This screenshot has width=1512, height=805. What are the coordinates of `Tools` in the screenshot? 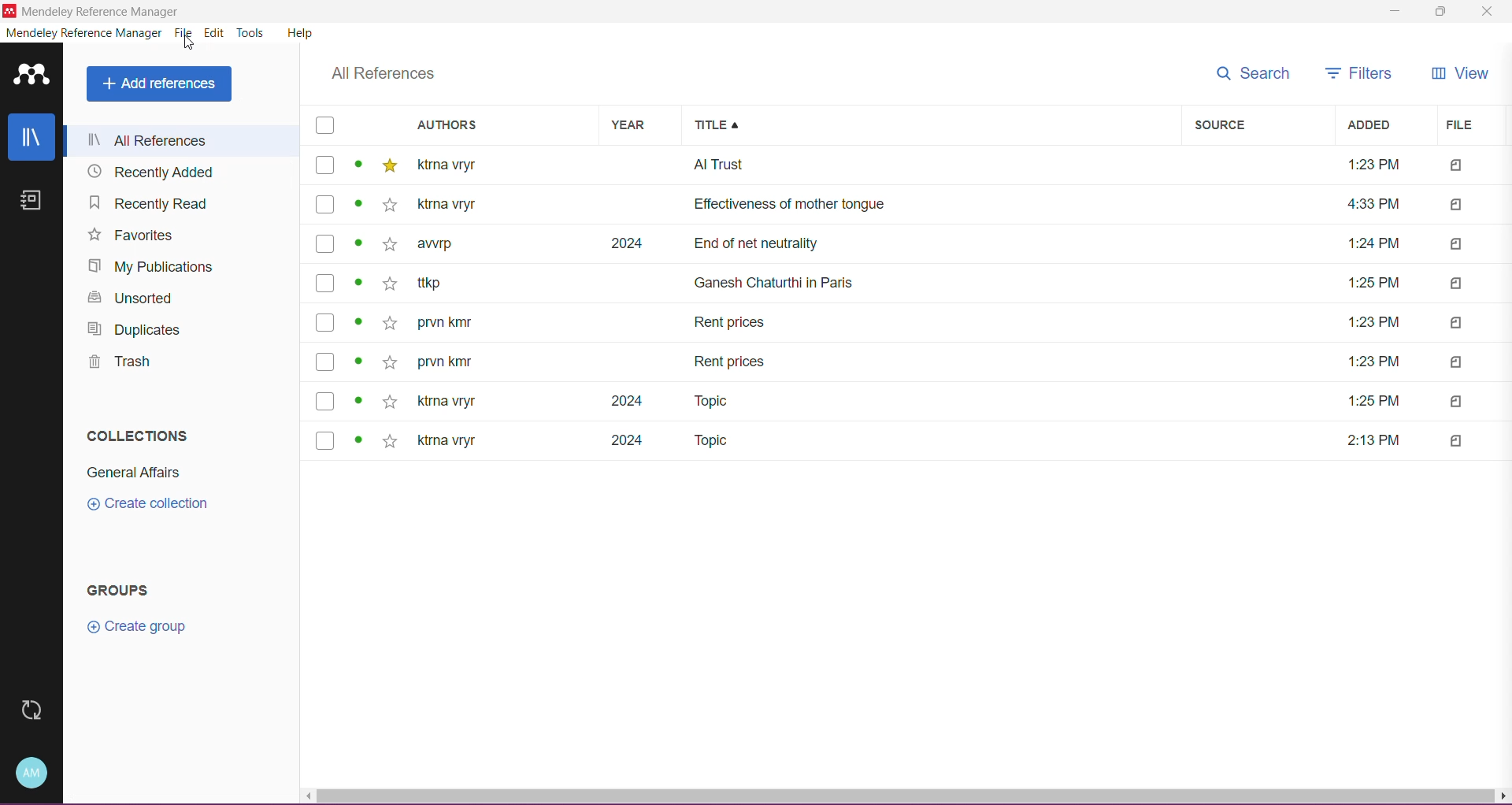 It's located at (251, 34).